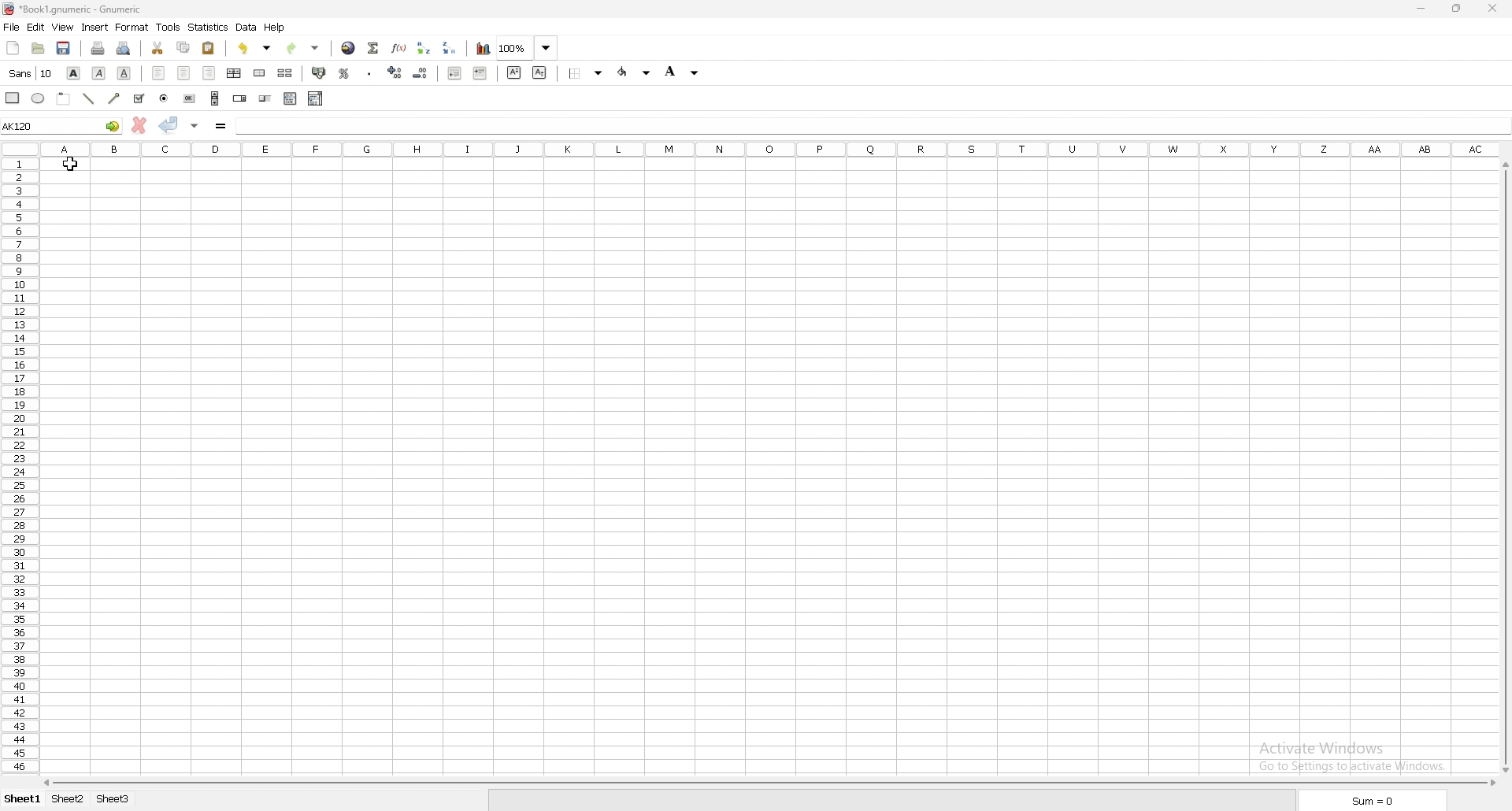 This screenshot has height=811, width=1512. Describe the element at coordinates (72, 9) in the screenshot. I see `file name` at that location.